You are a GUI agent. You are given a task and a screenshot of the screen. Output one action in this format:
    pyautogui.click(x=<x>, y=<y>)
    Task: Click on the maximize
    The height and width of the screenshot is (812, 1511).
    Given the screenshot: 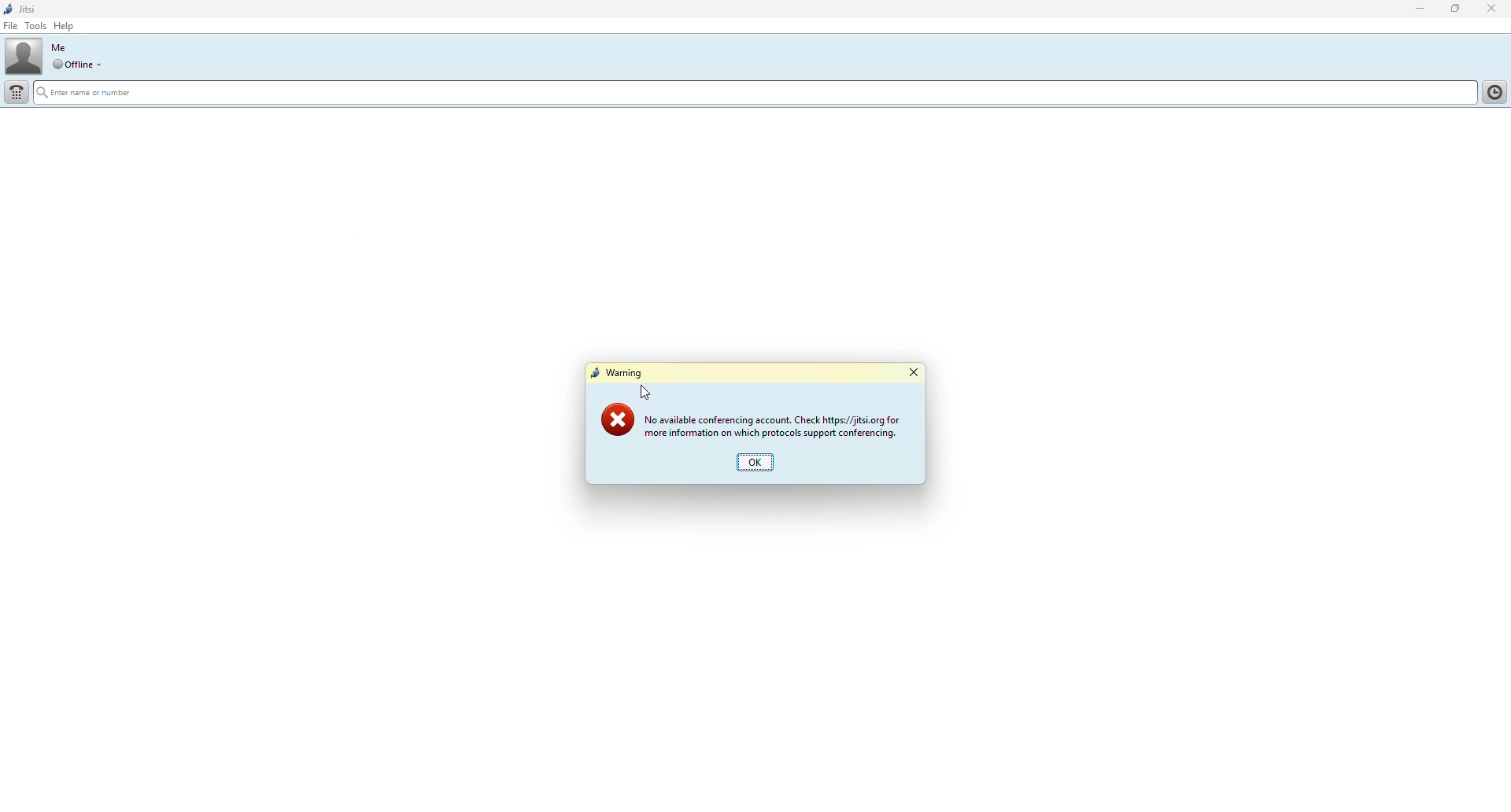 What is the action you would take?
    pyautogui.click(x=1454, y=10)
    